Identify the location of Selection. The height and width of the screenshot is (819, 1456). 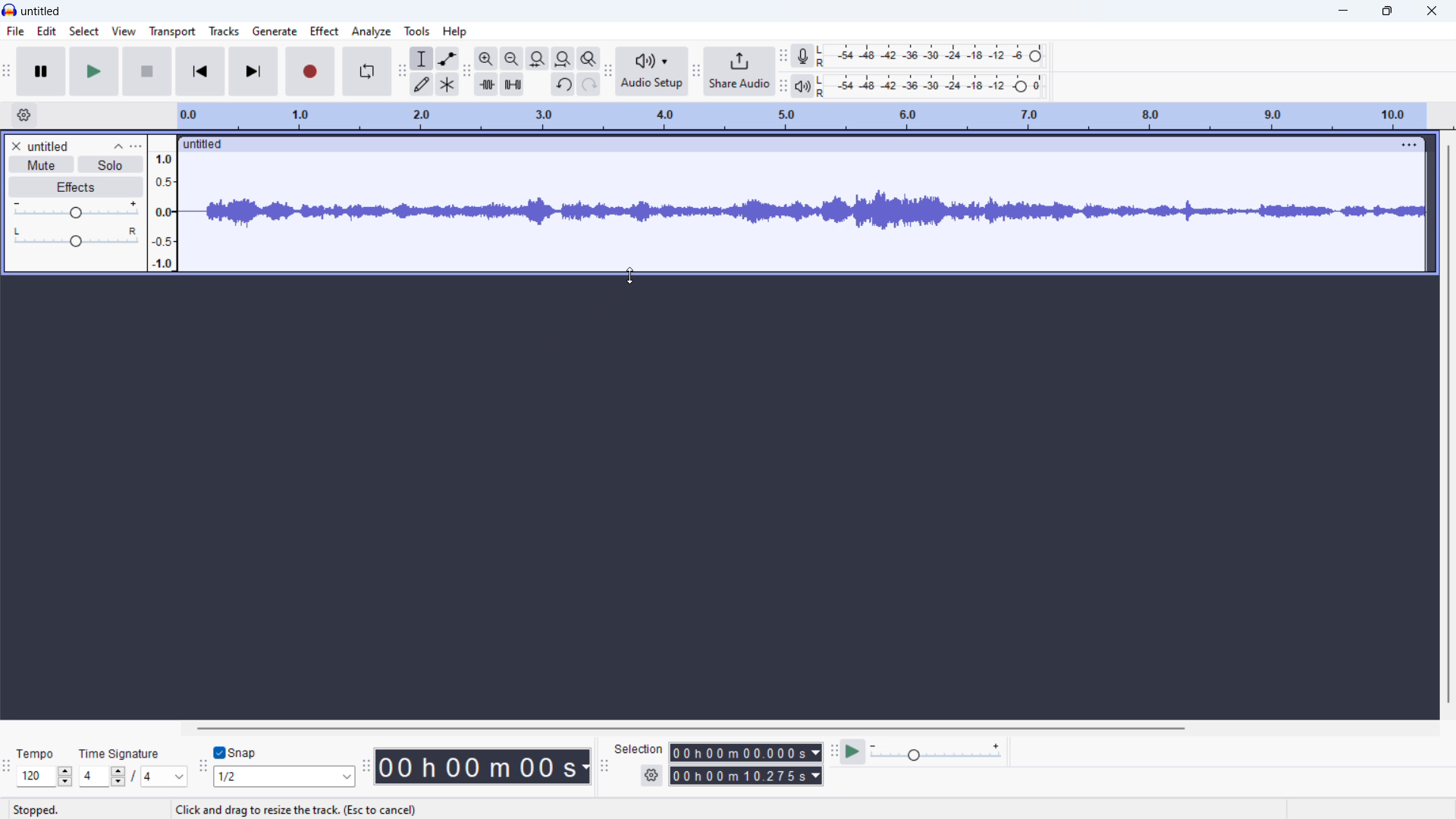
(640, 748).